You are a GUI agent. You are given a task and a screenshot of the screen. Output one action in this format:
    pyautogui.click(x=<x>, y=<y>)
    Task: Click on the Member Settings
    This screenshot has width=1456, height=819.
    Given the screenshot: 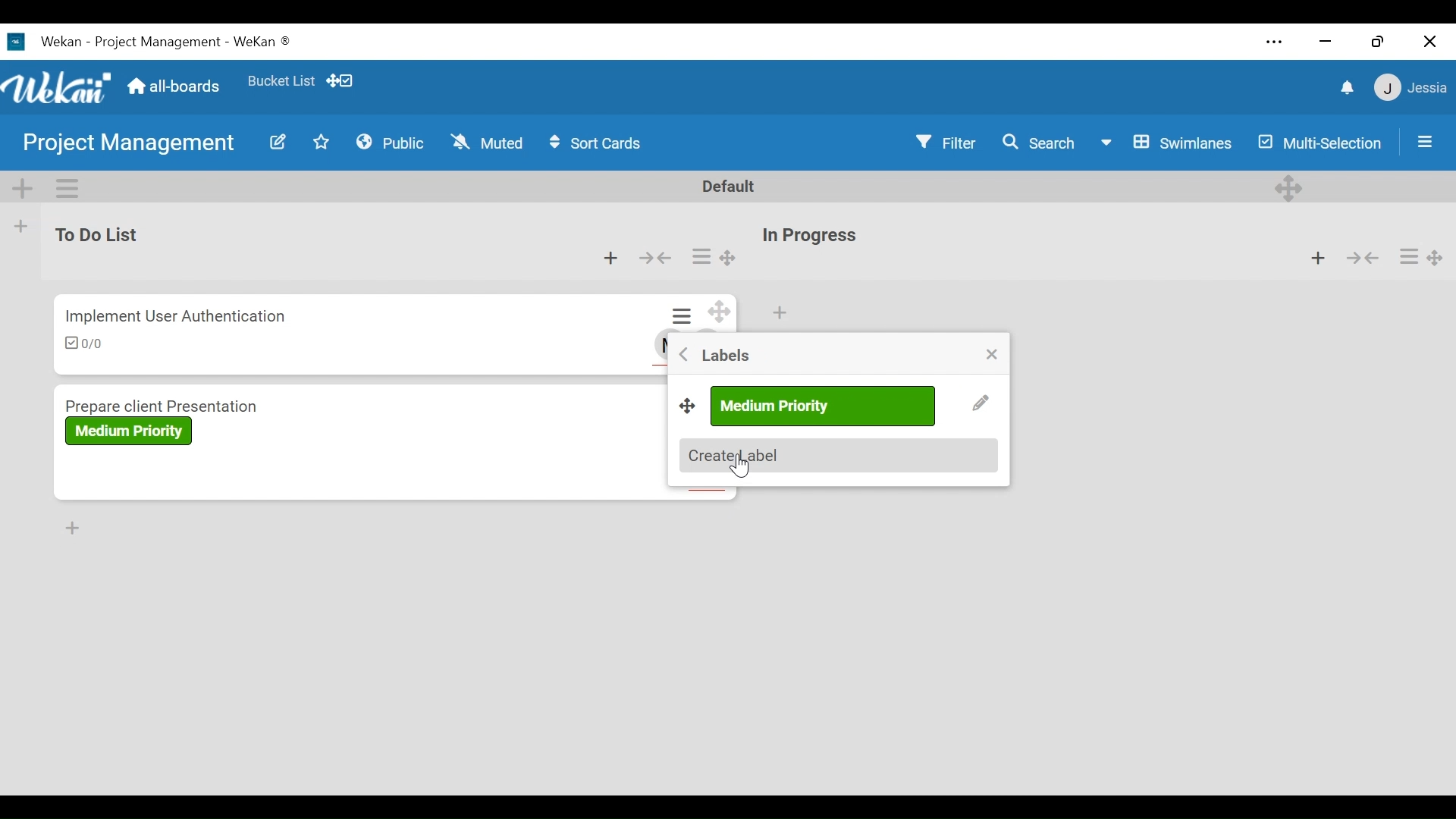 What is the action you would take?
    pyautogui.click(x=1411, y=87)
    